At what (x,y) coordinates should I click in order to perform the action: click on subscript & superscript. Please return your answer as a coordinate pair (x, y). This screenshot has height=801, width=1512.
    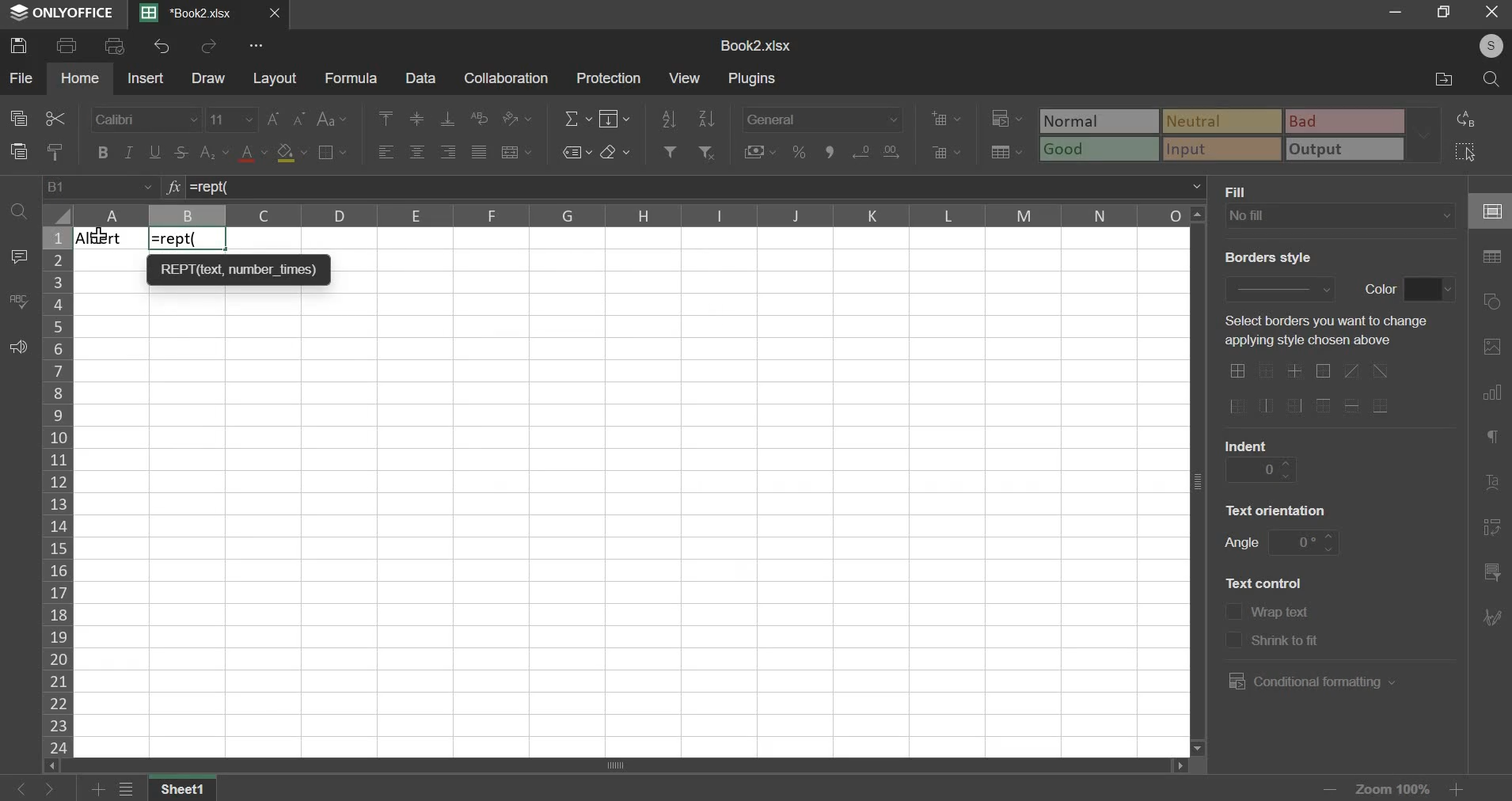
    Looking at the image, I should click on (215, 152).